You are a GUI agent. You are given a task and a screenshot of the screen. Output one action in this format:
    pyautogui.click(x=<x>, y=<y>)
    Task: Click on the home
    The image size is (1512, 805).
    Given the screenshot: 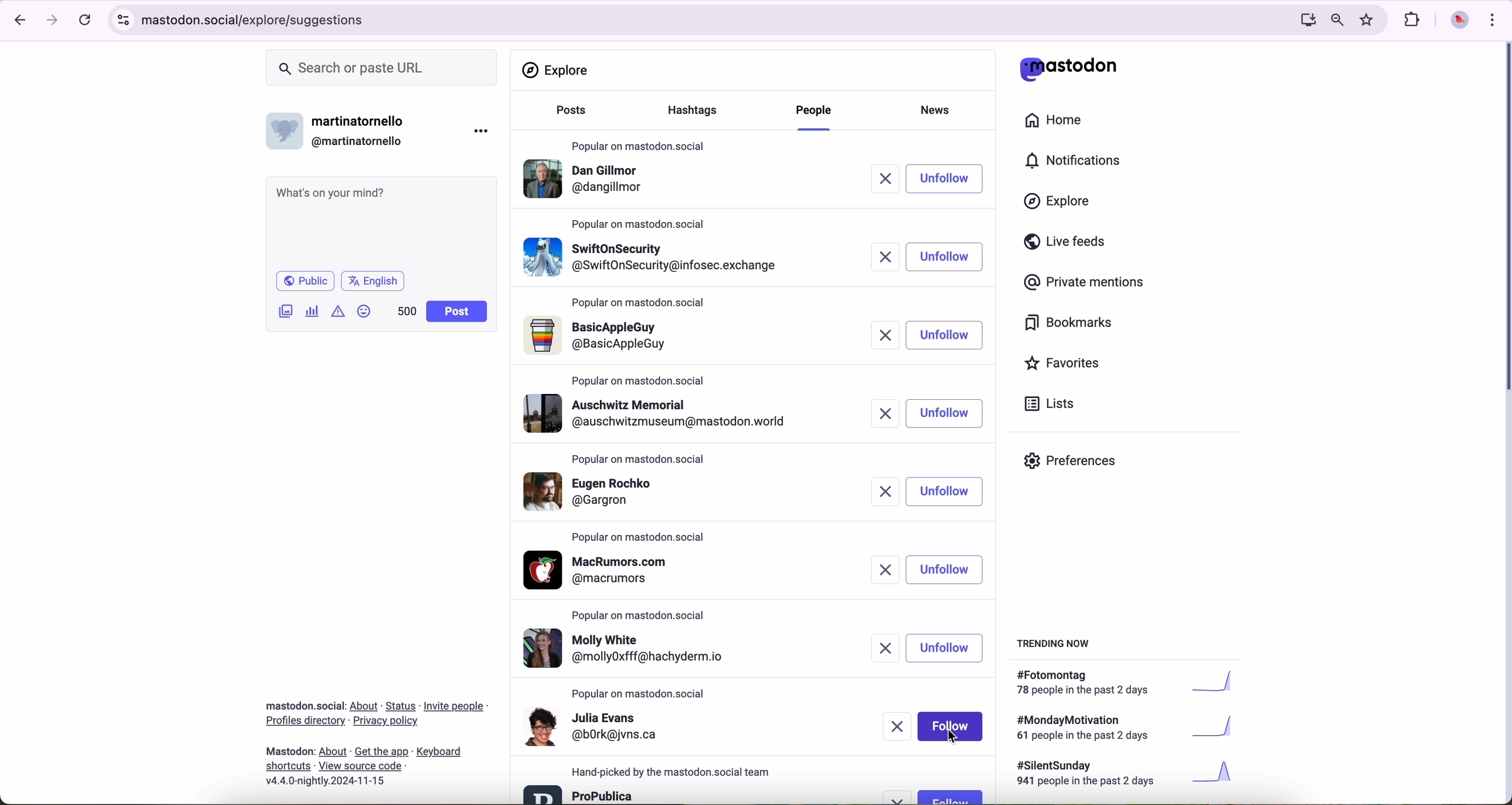 What is the action you would take?
    pyautogui.click(x=1060, y=123)
    